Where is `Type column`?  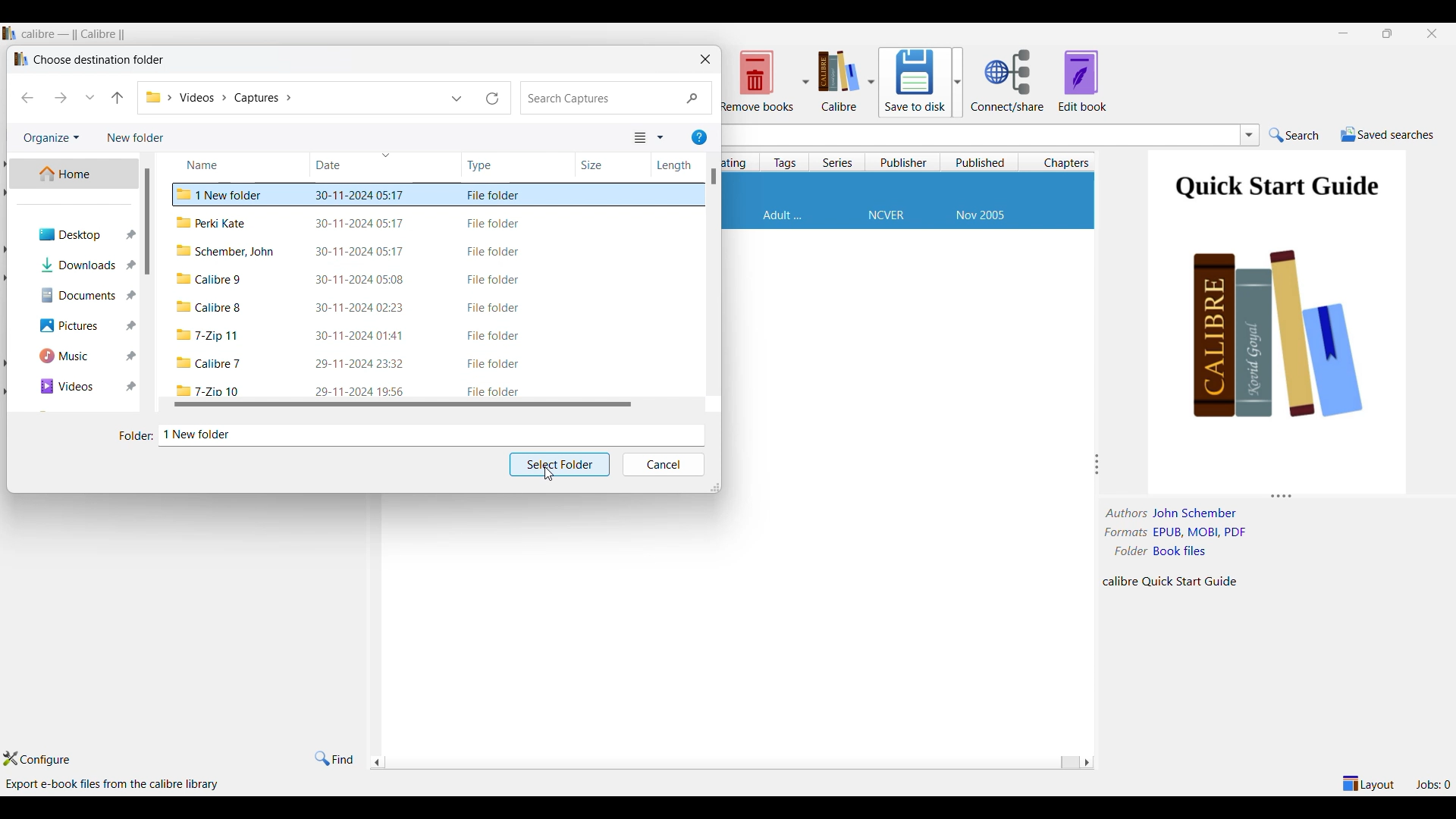
Type column is located at coordinates (497, 165).